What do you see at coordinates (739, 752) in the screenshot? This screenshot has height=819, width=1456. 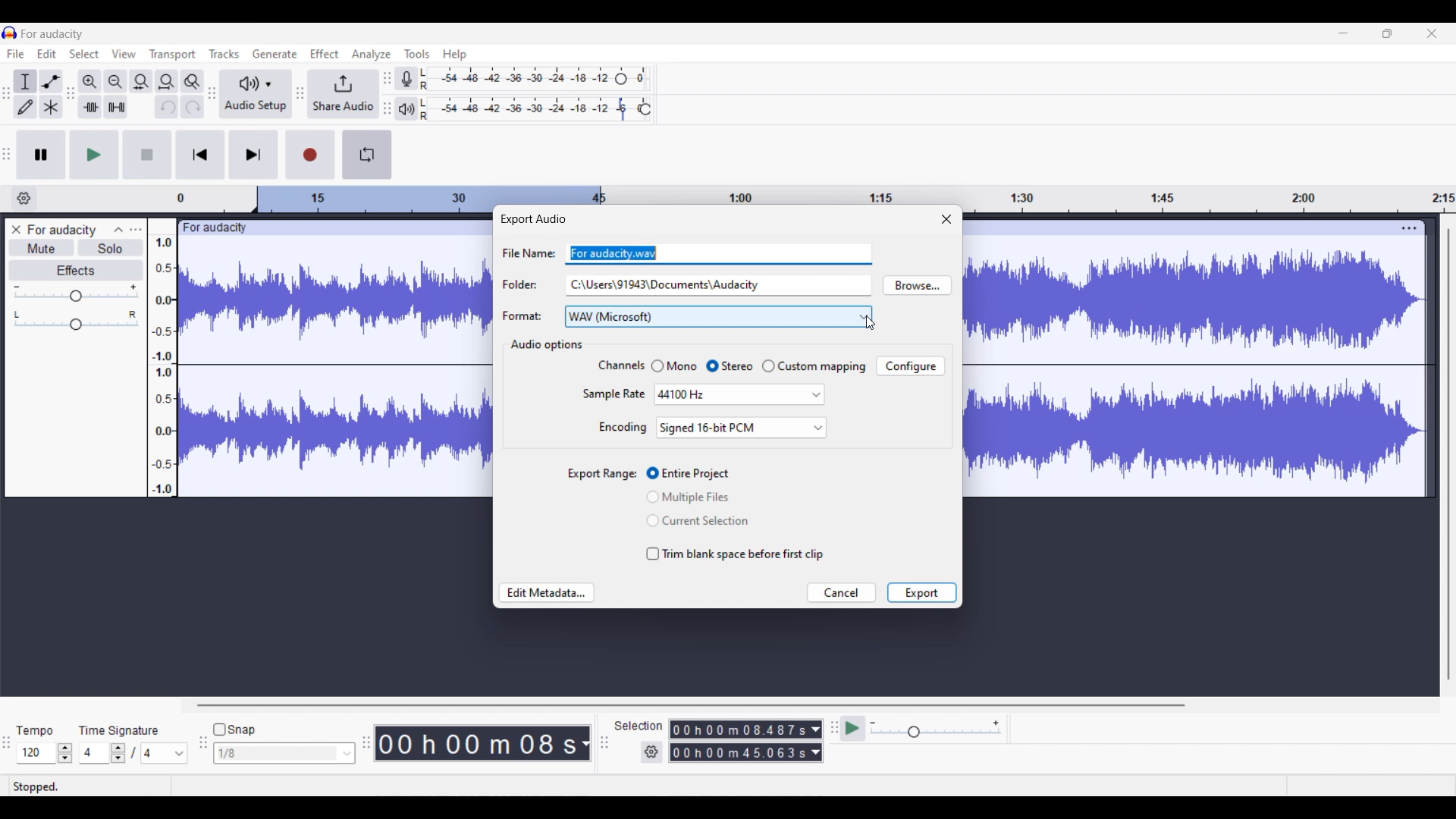 I see `Selection duration measurement` at bounding box center [739, 752].